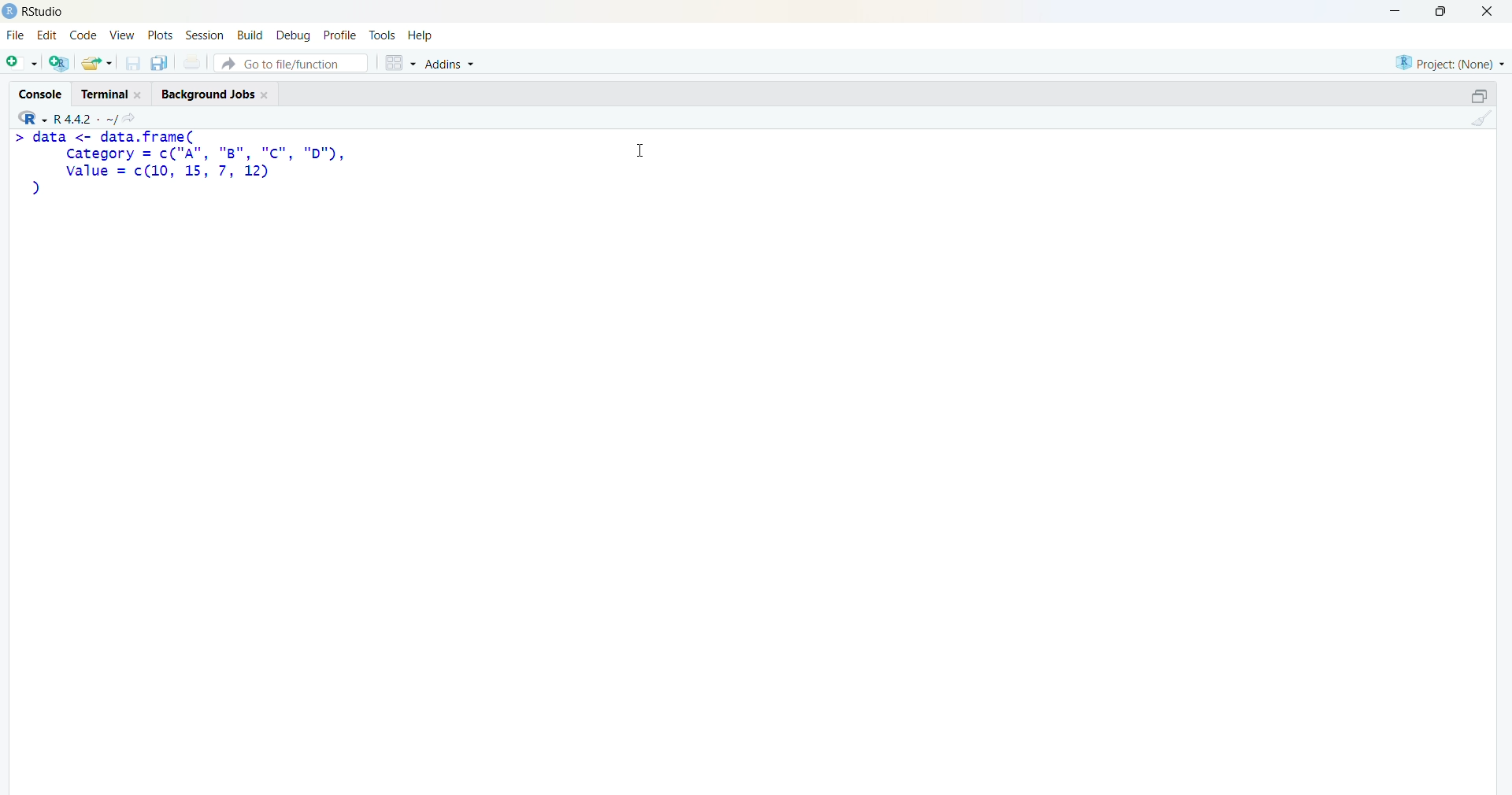  I want to click on grid view, so click(399, 62).